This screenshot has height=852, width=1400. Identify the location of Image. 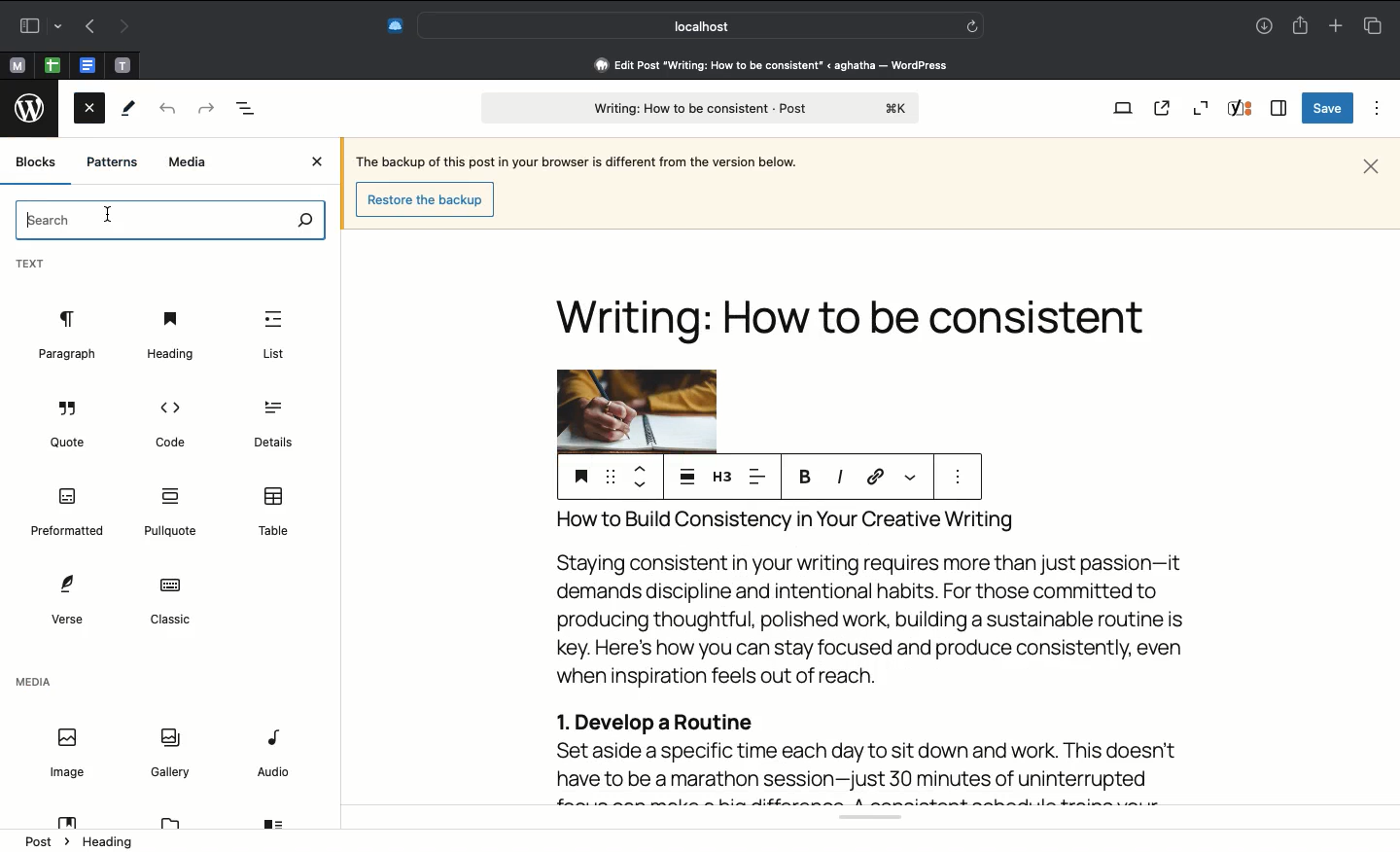
(66, 754).